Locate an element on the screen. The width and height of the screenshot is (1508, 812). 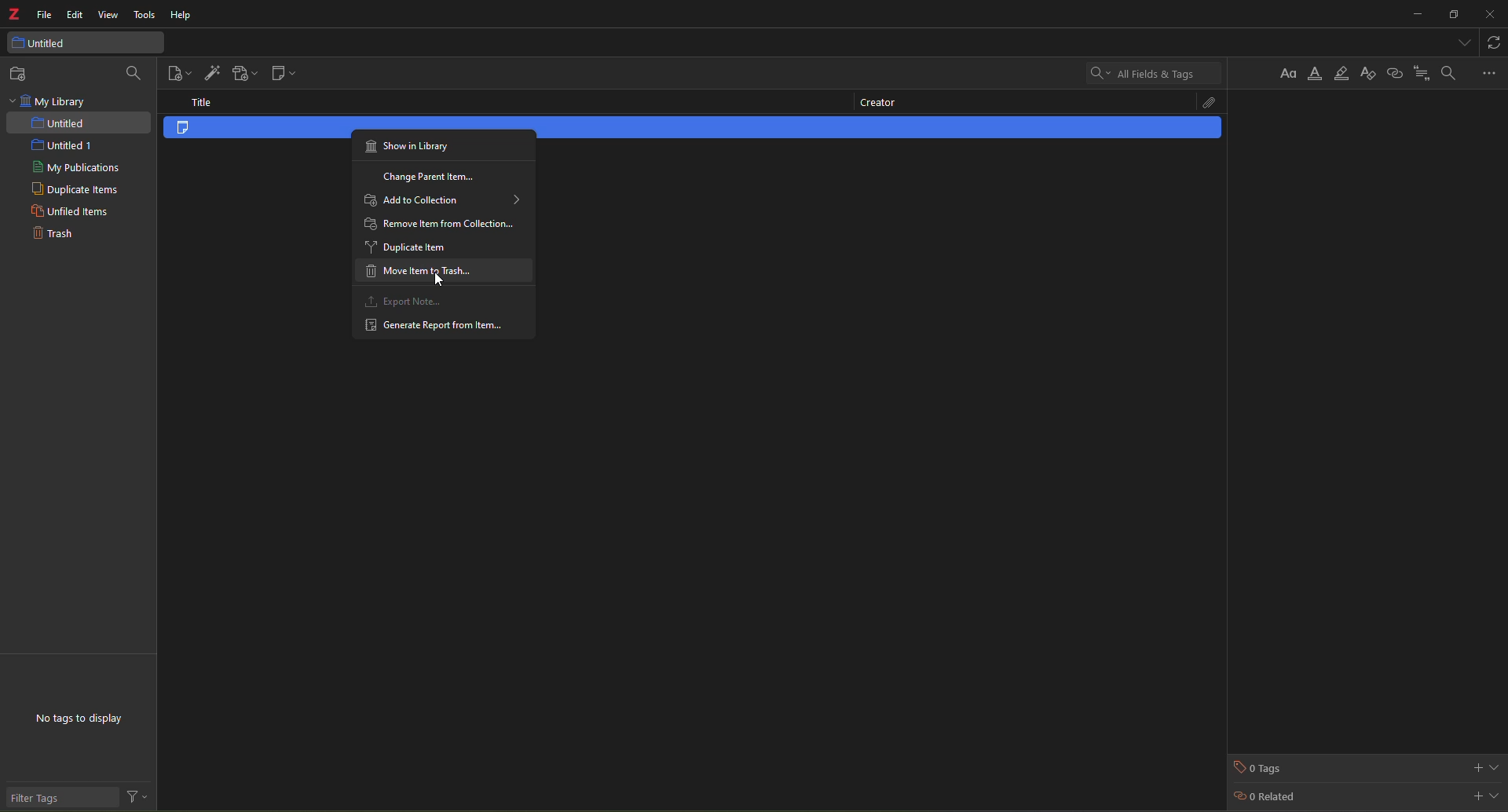
find and replace is located at coordinates (1448, 72).